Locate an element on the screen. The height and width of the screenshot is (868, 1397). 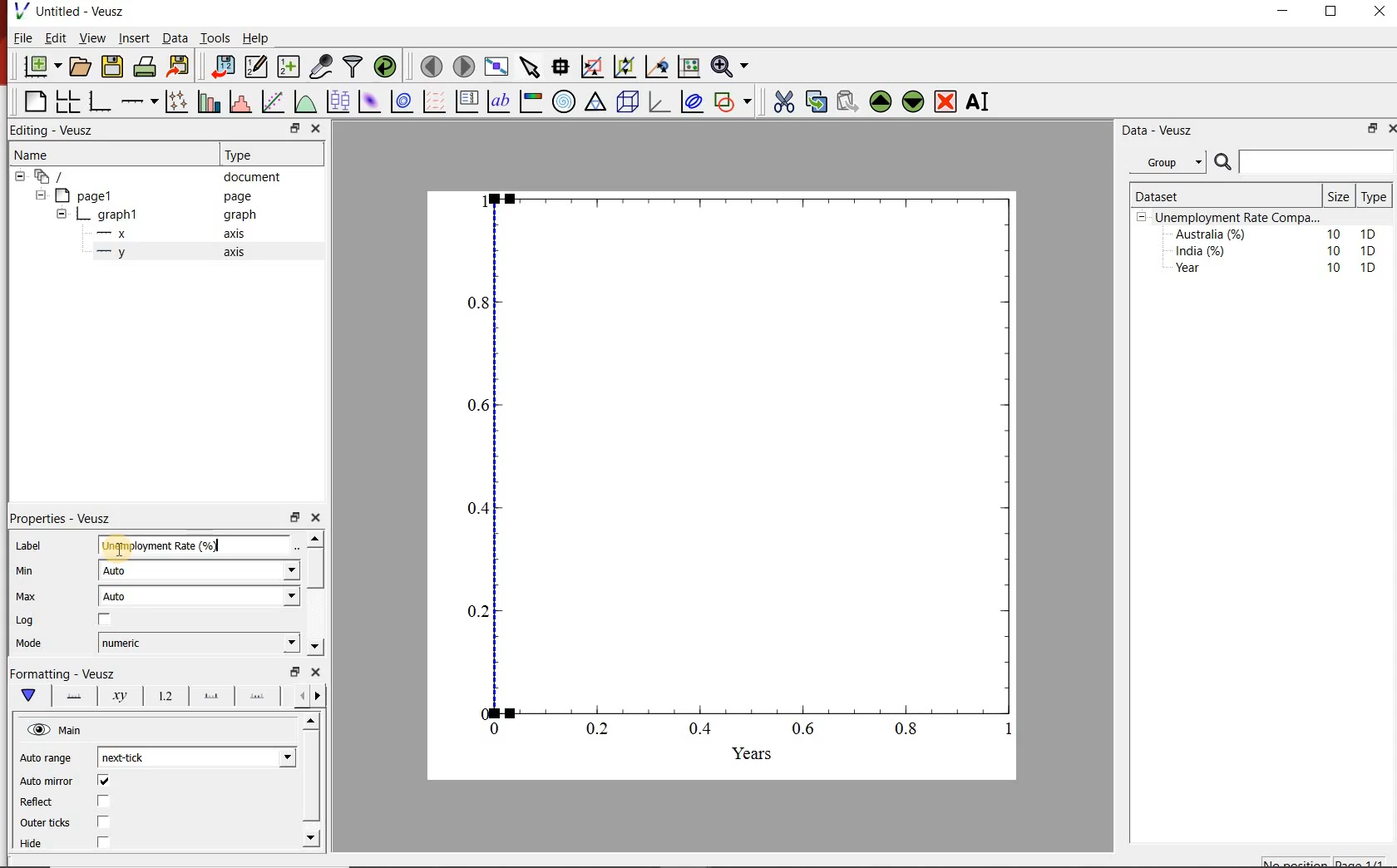
copy the widgets is located at coordinates (815, 101).